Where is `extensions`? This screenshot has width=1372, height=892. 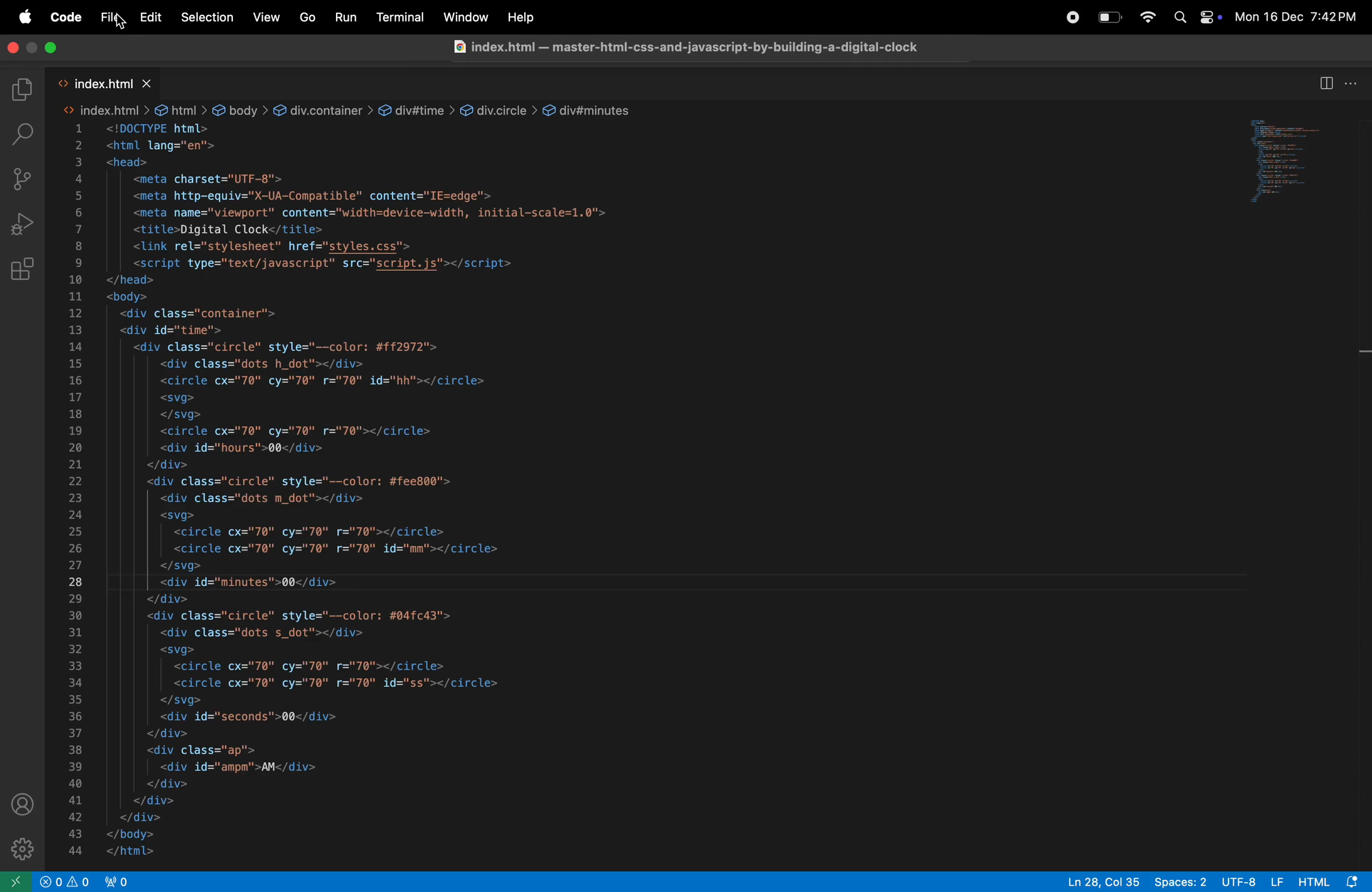 extensions is located at coordinates (23, 270).